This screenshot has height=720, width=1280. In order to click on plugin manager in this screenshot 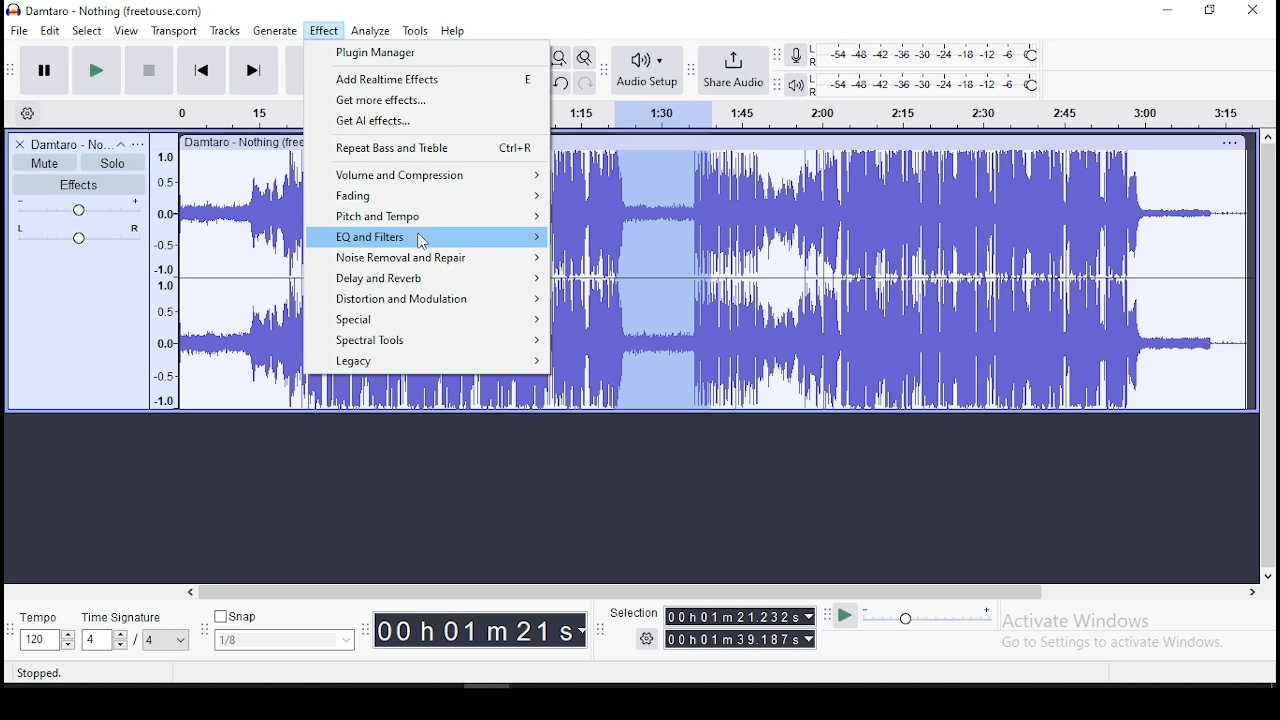, I will do `click(427, 54)`.